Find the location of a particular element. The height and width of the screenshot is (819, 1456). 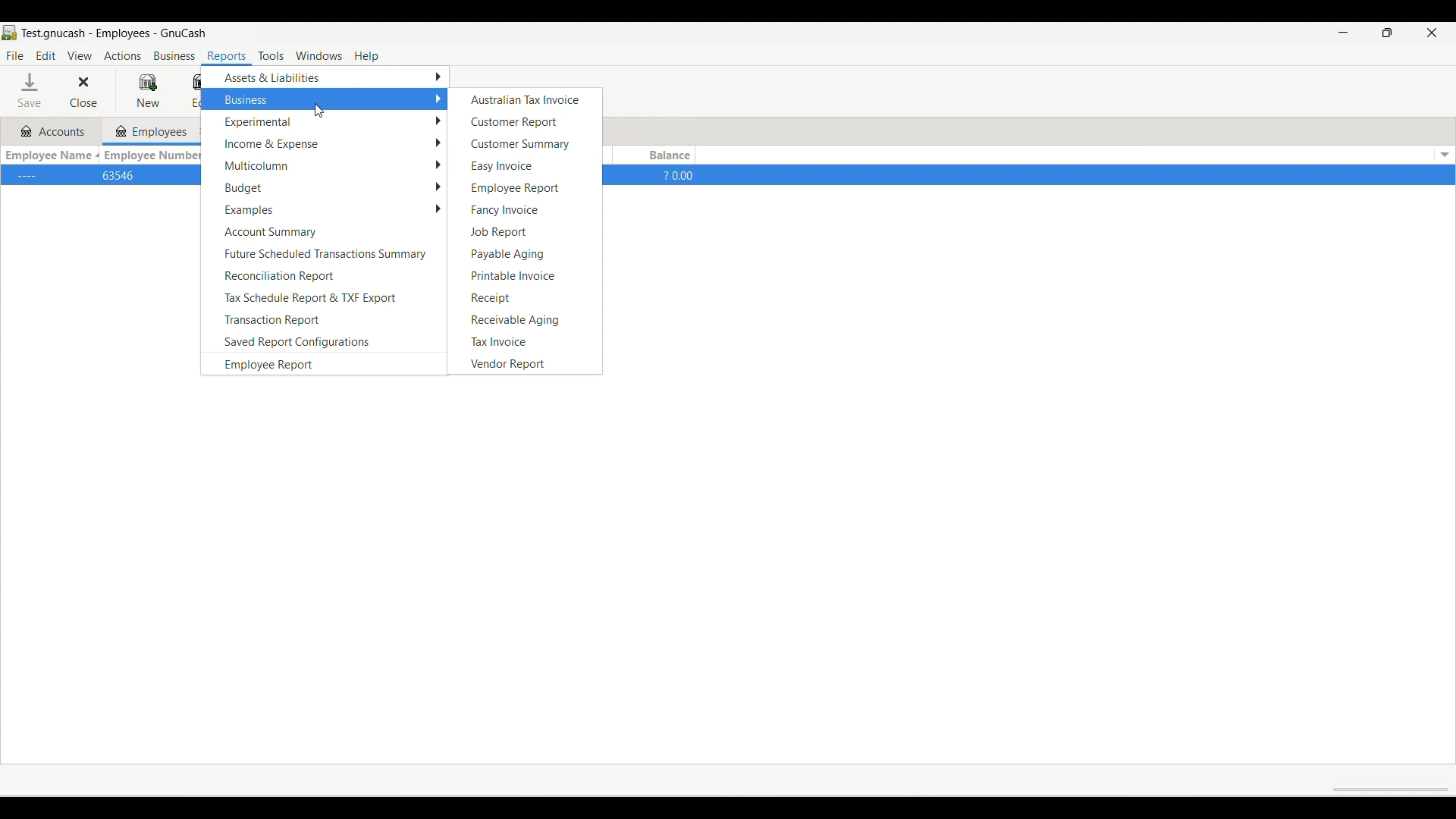

Employee report is located at coordinates (525, 188).